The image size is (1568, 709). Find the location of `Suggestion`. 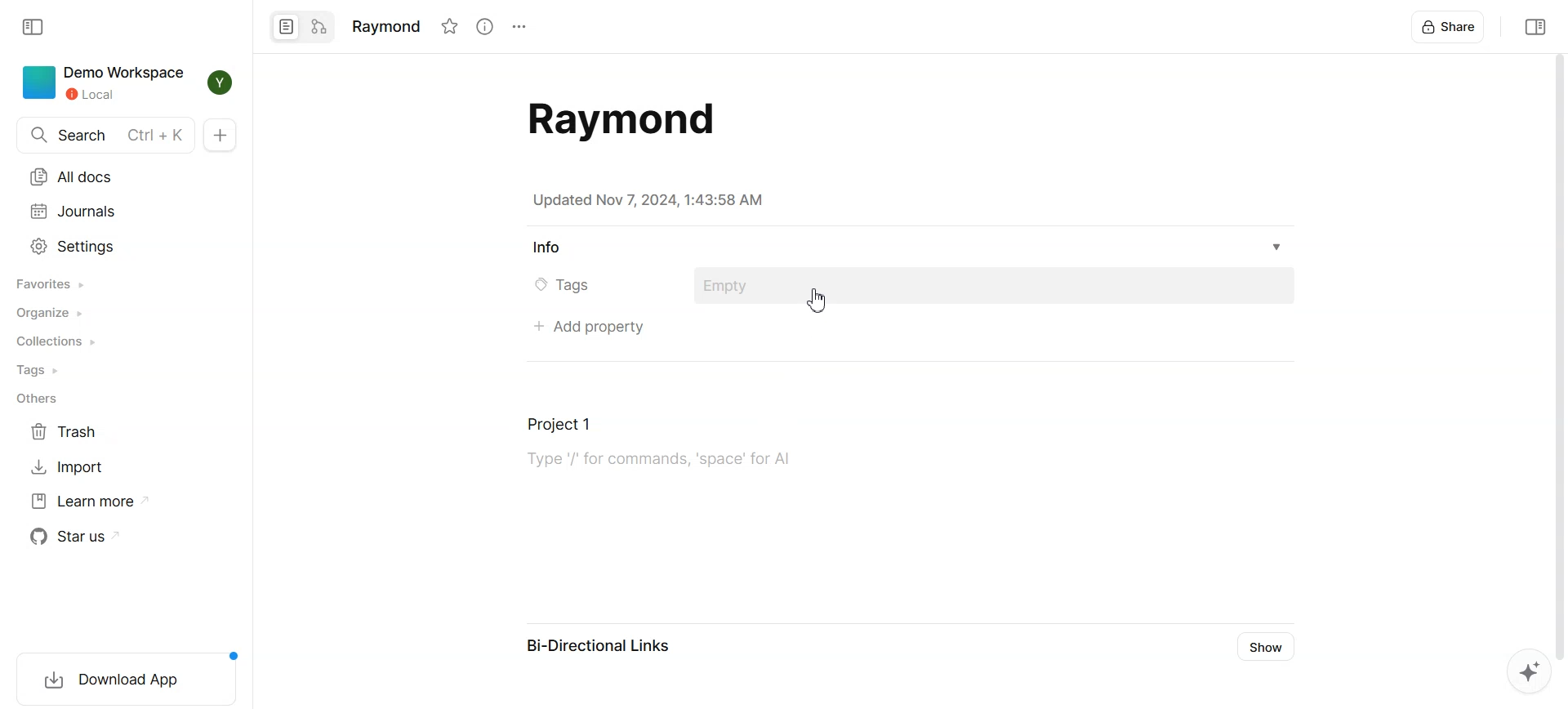

Suggestion is located at coordinates (1523, 673).